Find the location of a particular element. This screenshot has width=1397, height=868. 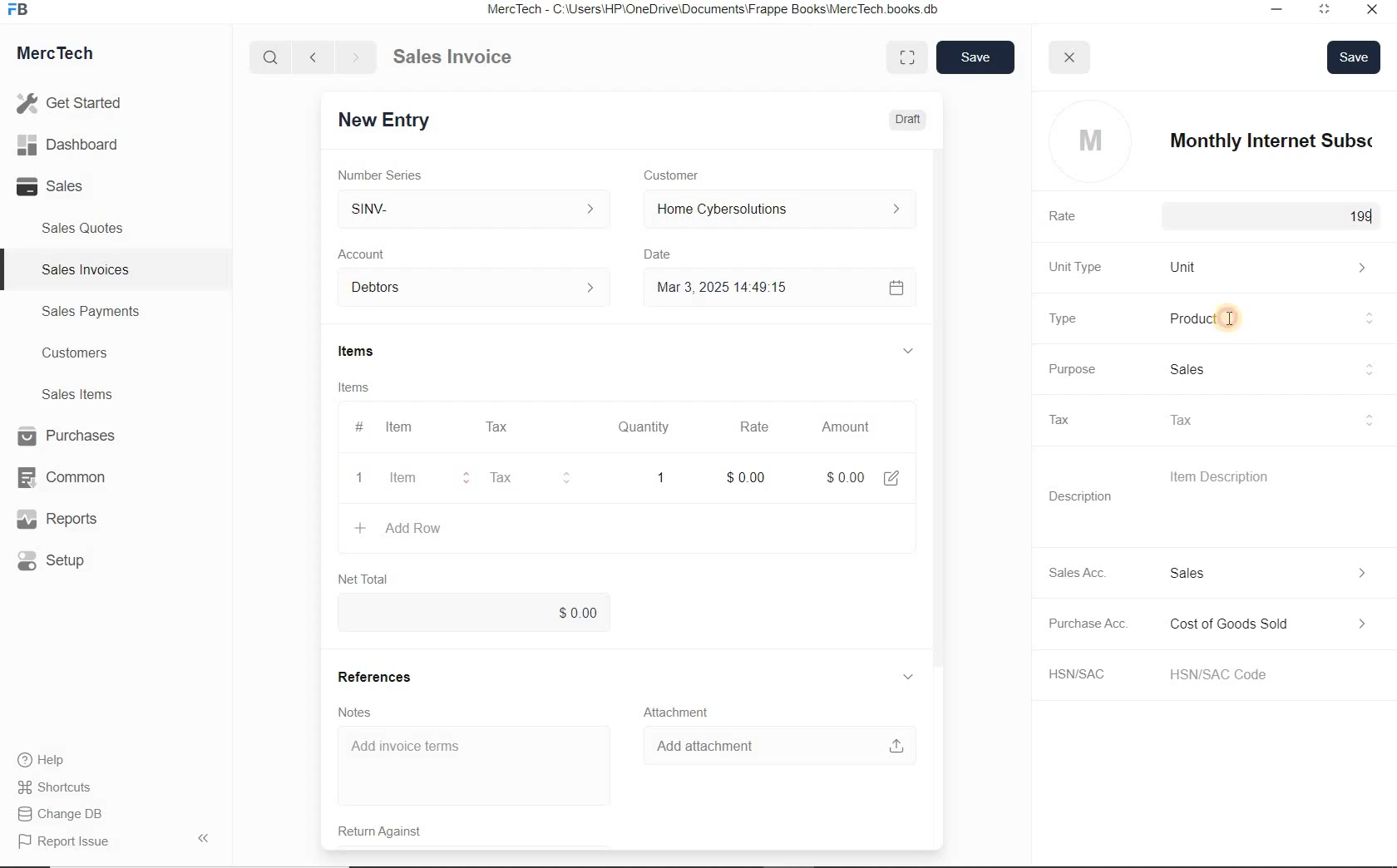

Minimize is located at coordinates (1276, 12).